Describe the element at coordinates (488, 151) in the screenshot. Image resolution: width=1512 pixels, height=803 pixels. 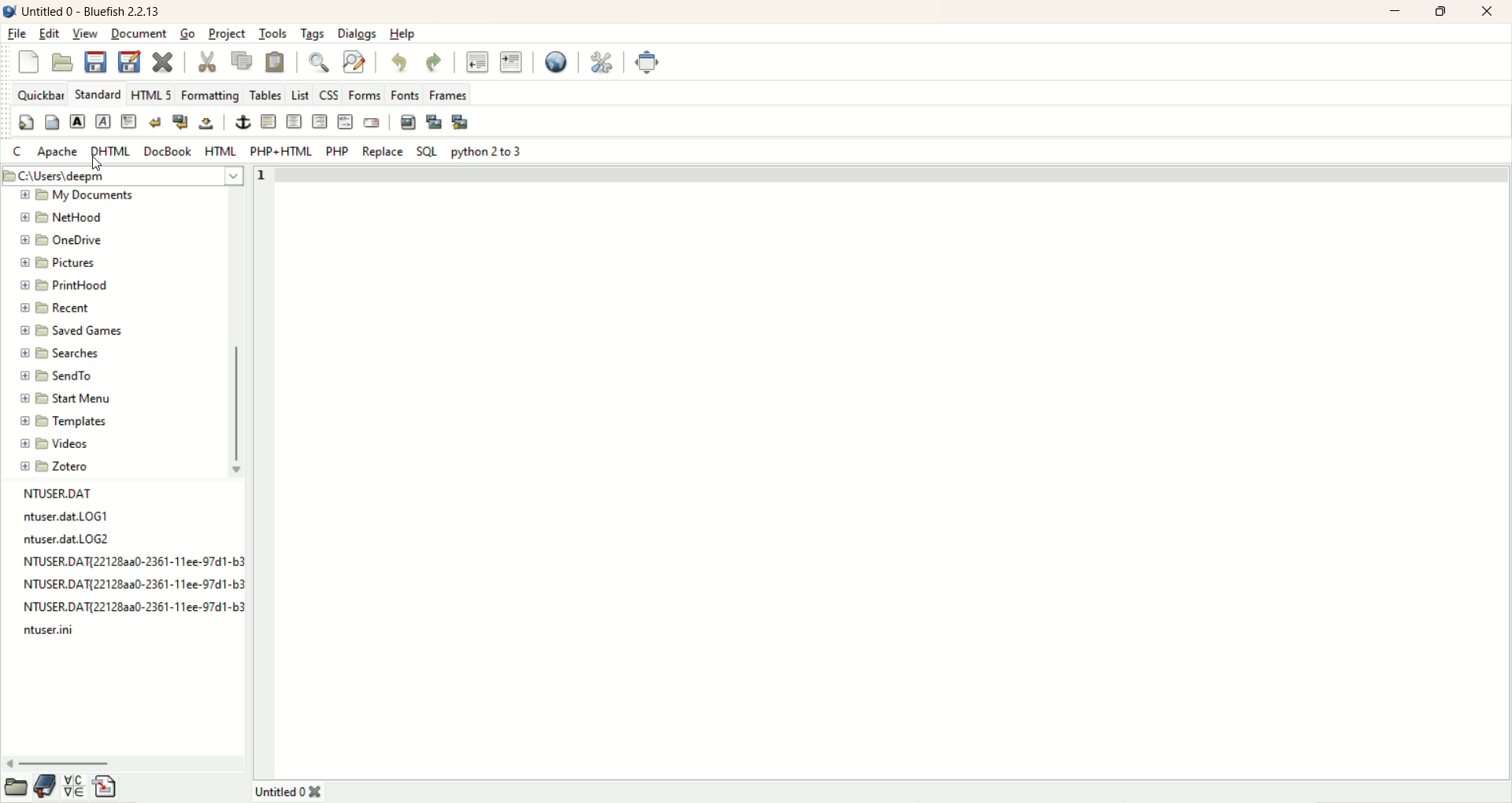
I see `python 2 to 3` at that location.